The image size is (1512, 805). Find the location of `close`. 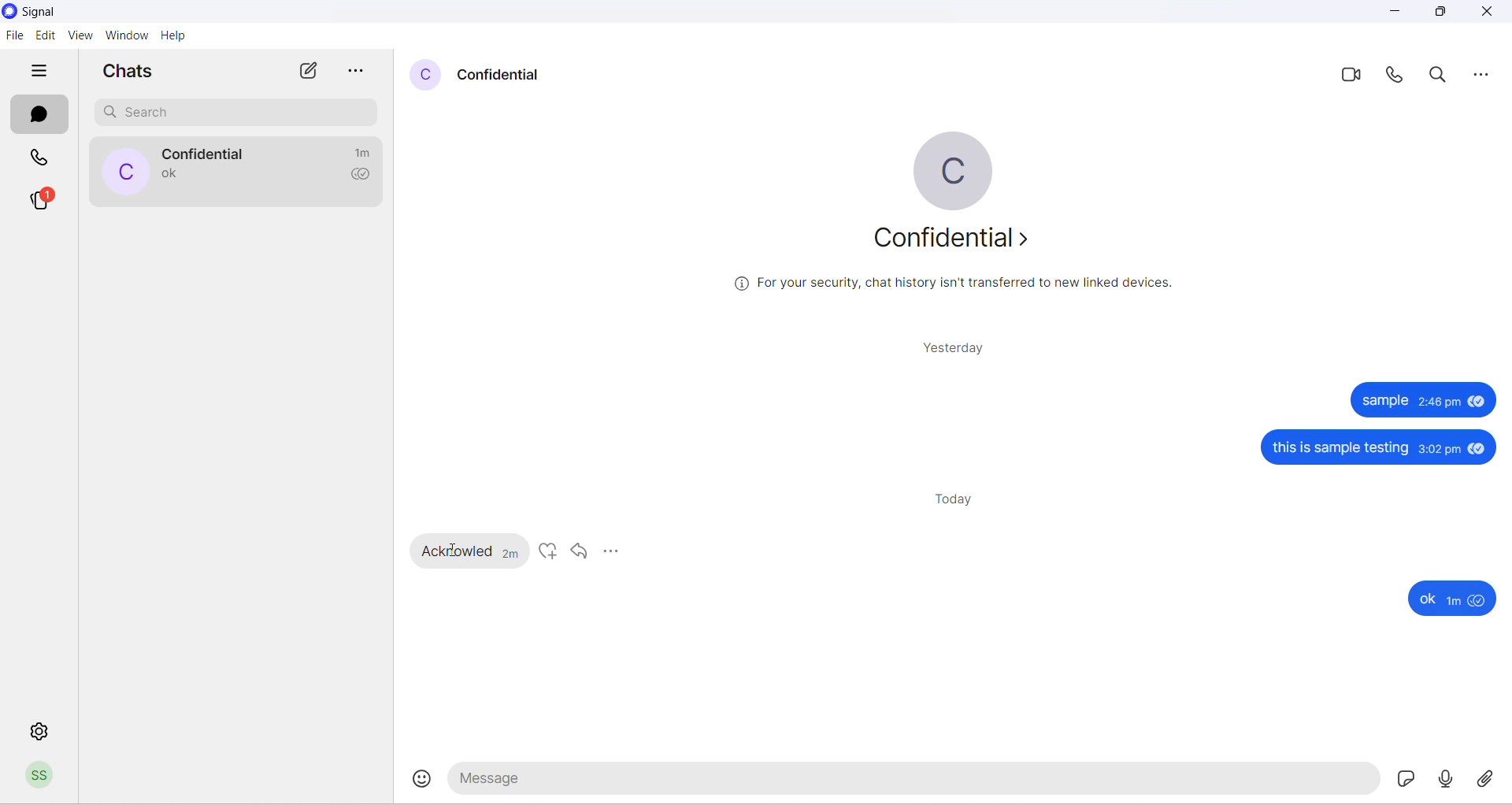

close is located at coordinates (1488, 12).